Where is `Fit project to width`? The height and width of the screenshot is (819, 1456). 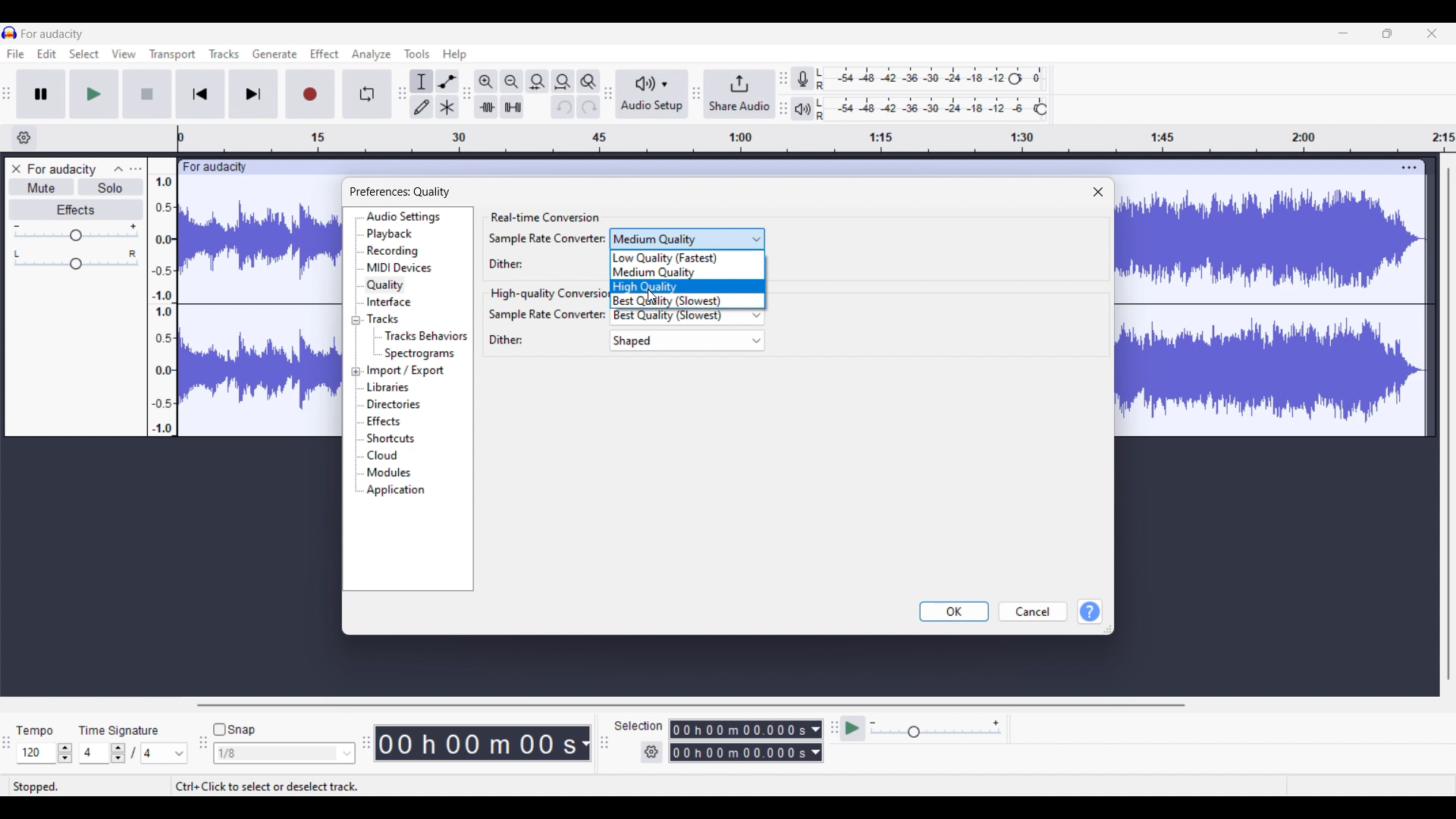 Fit project to width is located at coordinates (563, 82).